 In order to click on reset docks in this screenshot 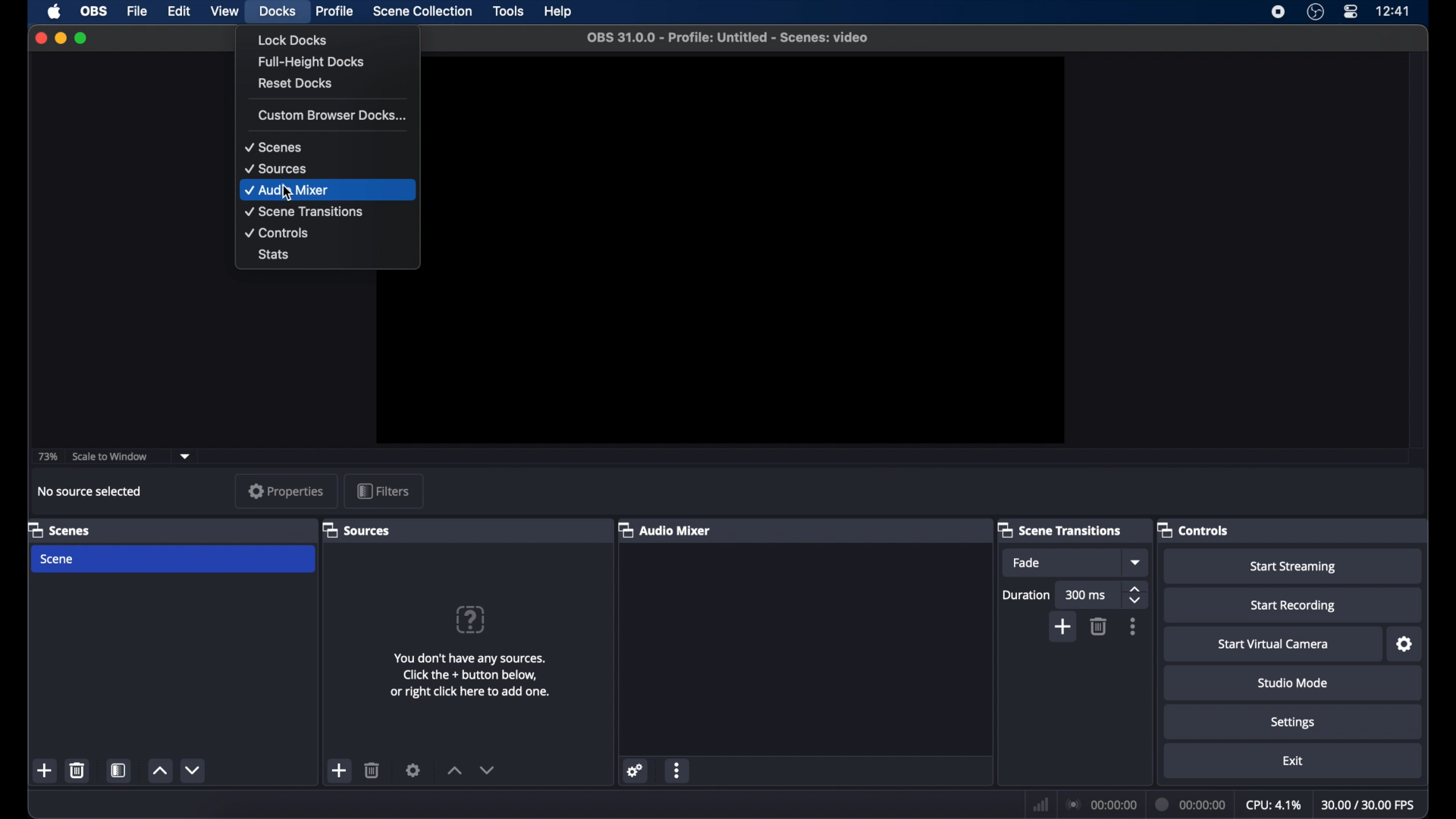, I will do `click(296, 83)`.